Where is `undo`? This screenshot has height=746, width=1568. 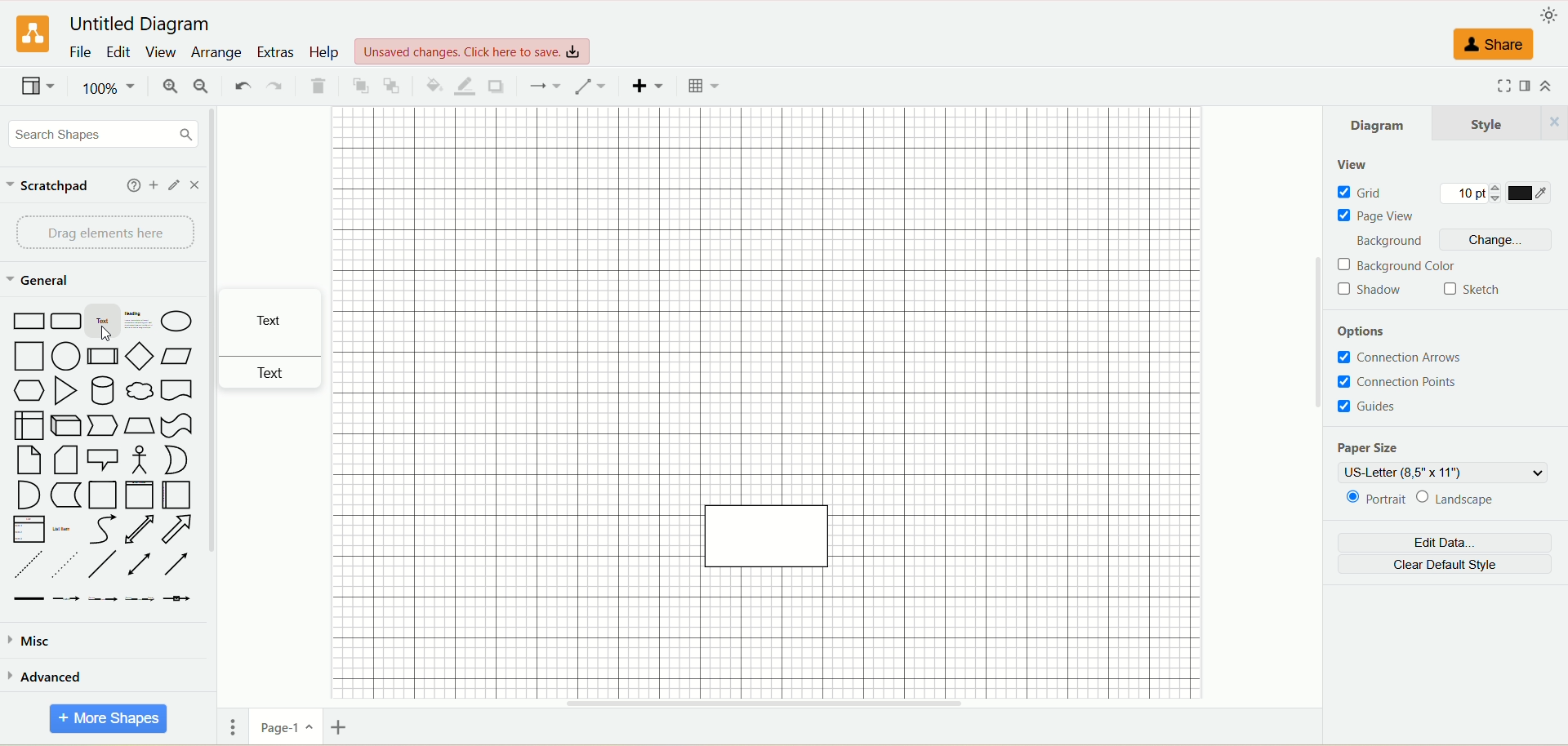 undo is located at coordinates (243, 85).